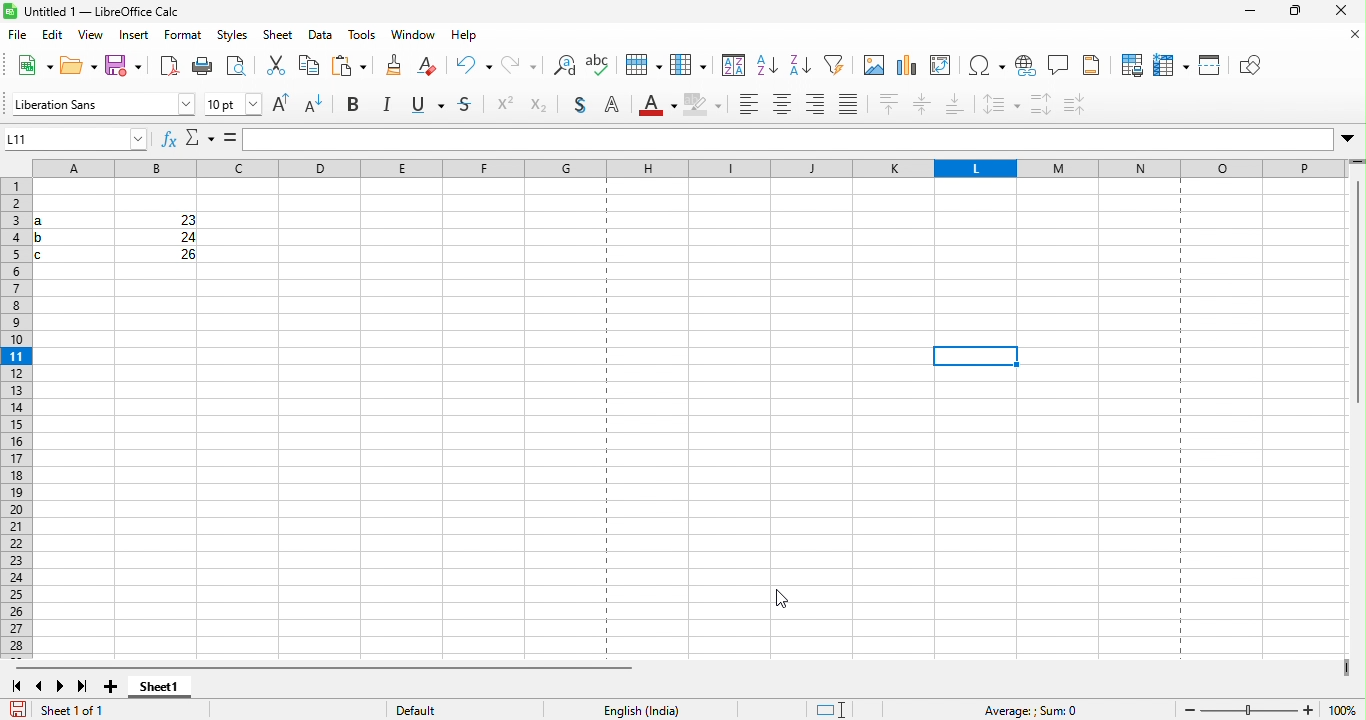  What do you see at coordinates (15, 683) in the screenshot?
I see `first sheet` at bounding box center [15, 683].